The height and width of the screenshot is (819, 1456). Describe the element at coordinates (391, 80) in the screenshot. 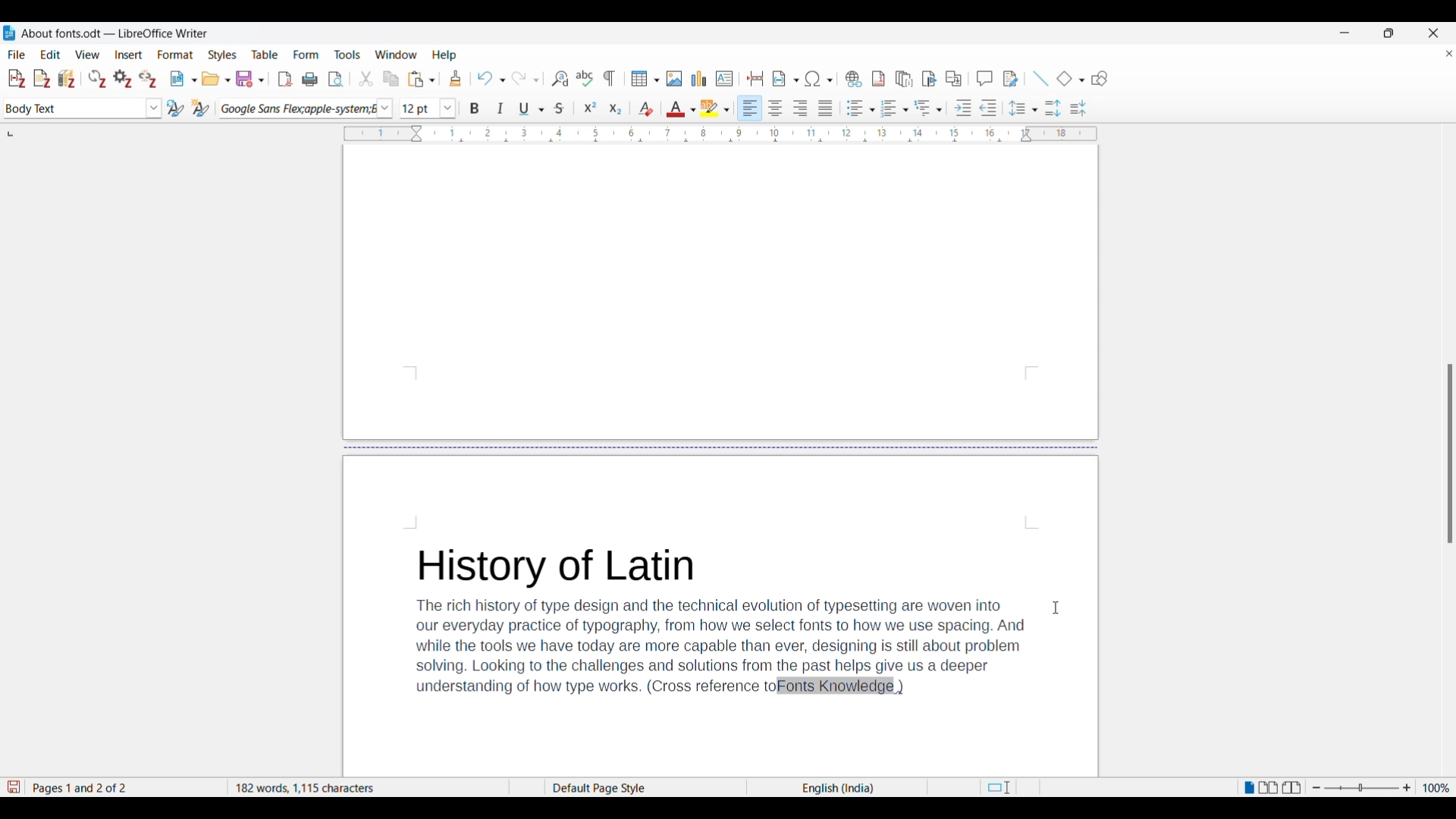

I see `Copy` at that location.